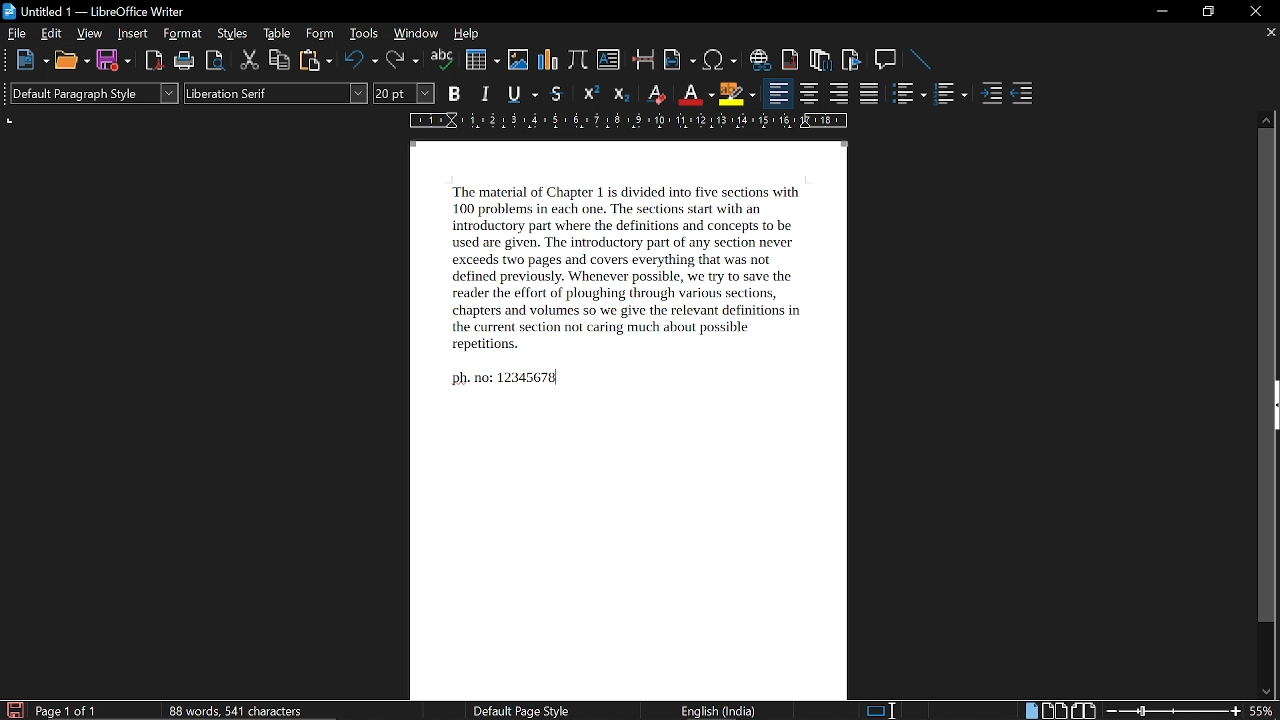 This screenshot has width=1280, height=720. What do you see at coordinates (415, 35) in the screenshot?
I see `window` at bounding box center [415, 35].